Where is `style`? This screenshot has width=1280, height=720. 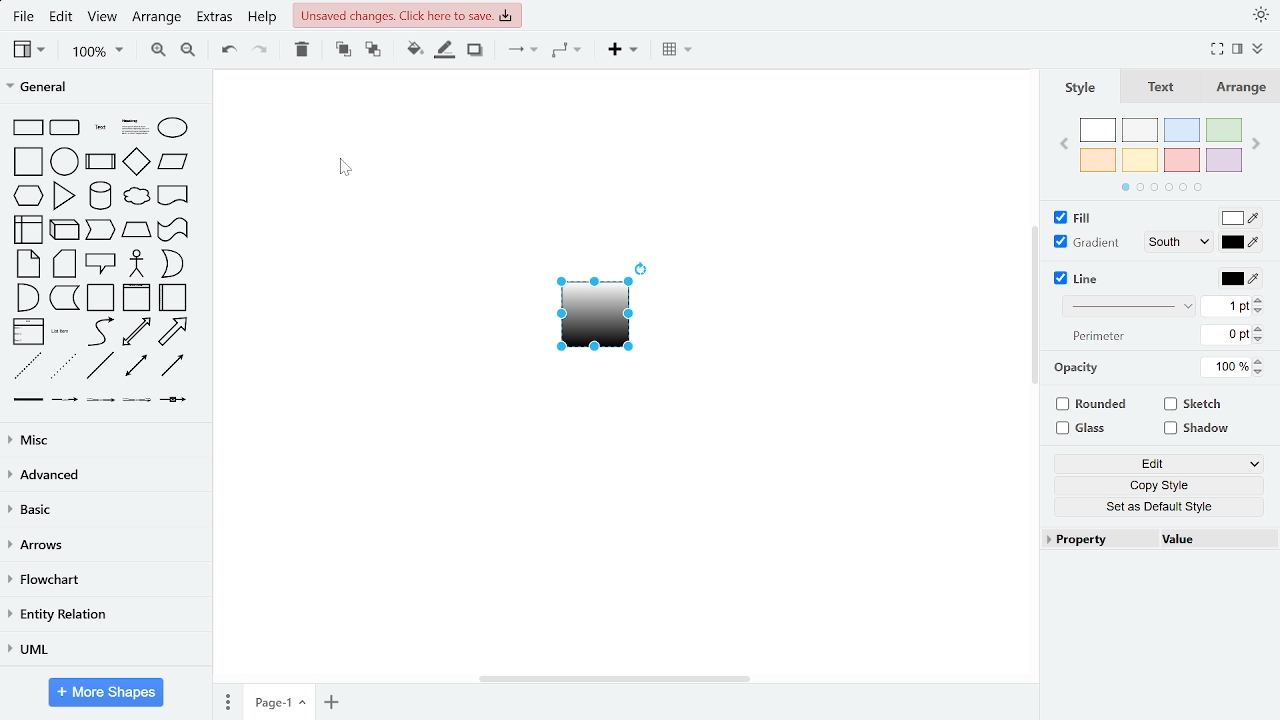 style is located at coordinates (1084, 88).